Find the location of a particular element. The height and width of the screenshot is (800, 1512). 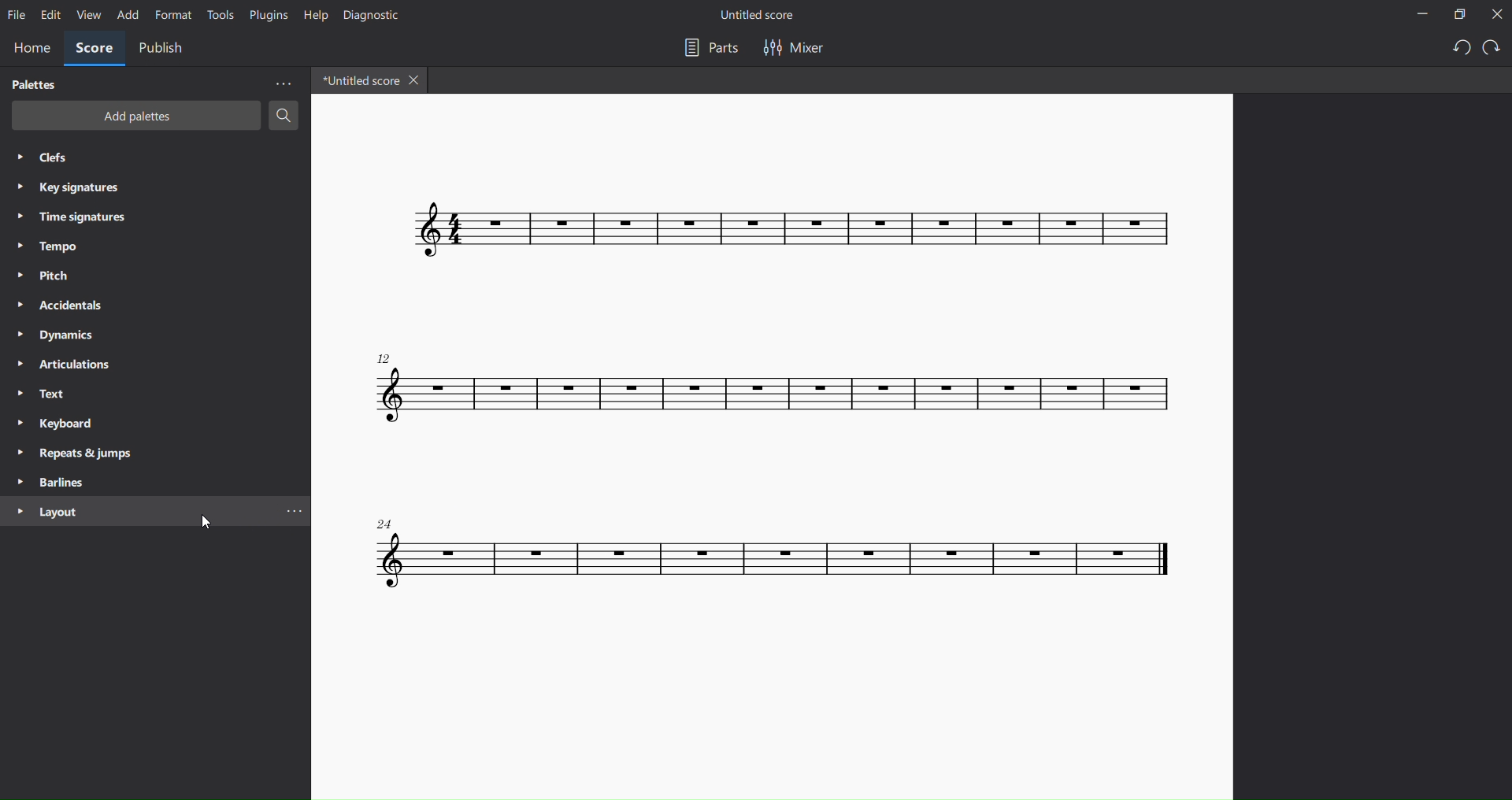

score is located at coordinates (94, 50).